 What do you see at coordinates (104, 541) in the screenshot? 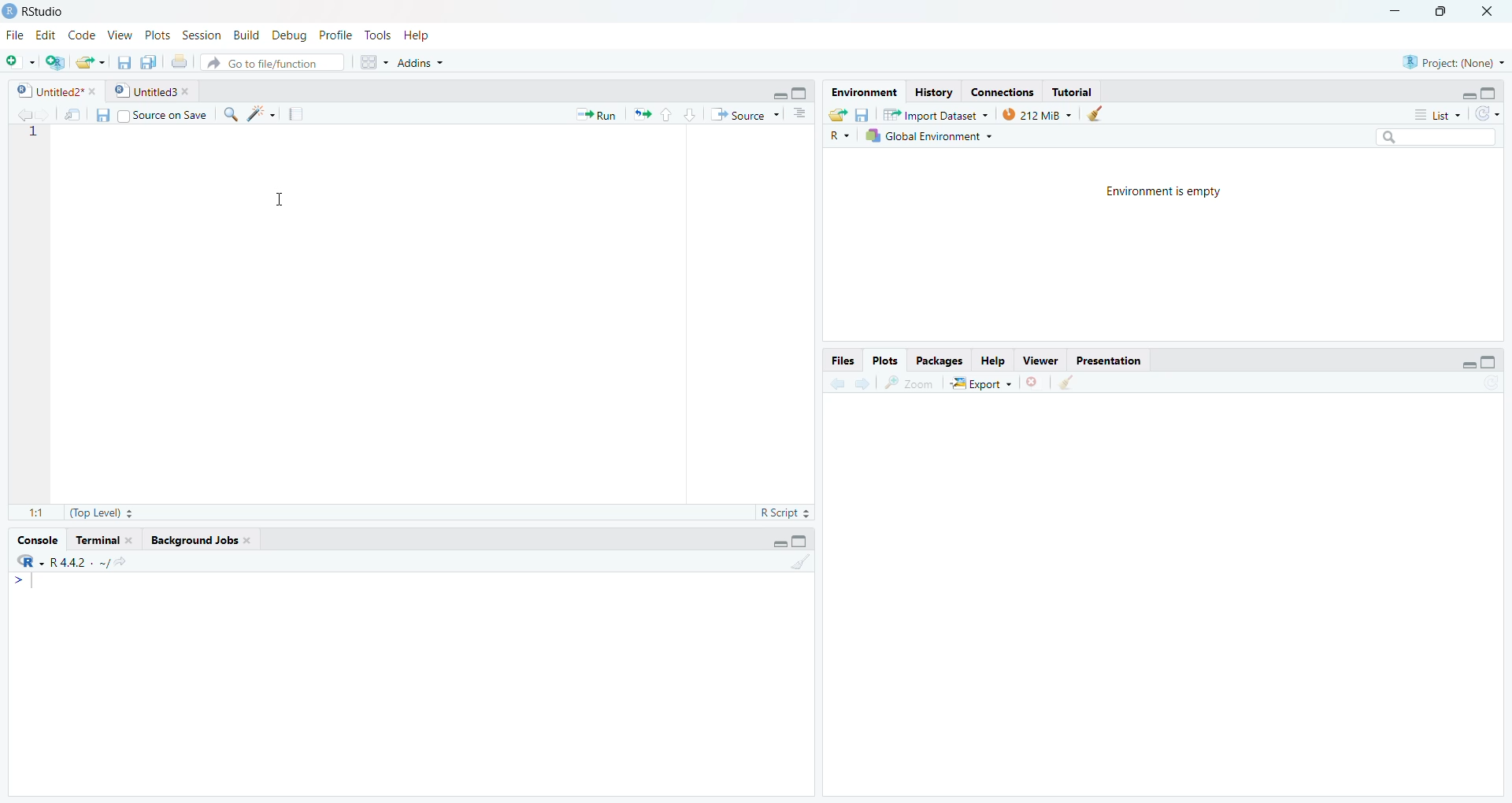
I see `terminal` at bounding box center [104, 541].